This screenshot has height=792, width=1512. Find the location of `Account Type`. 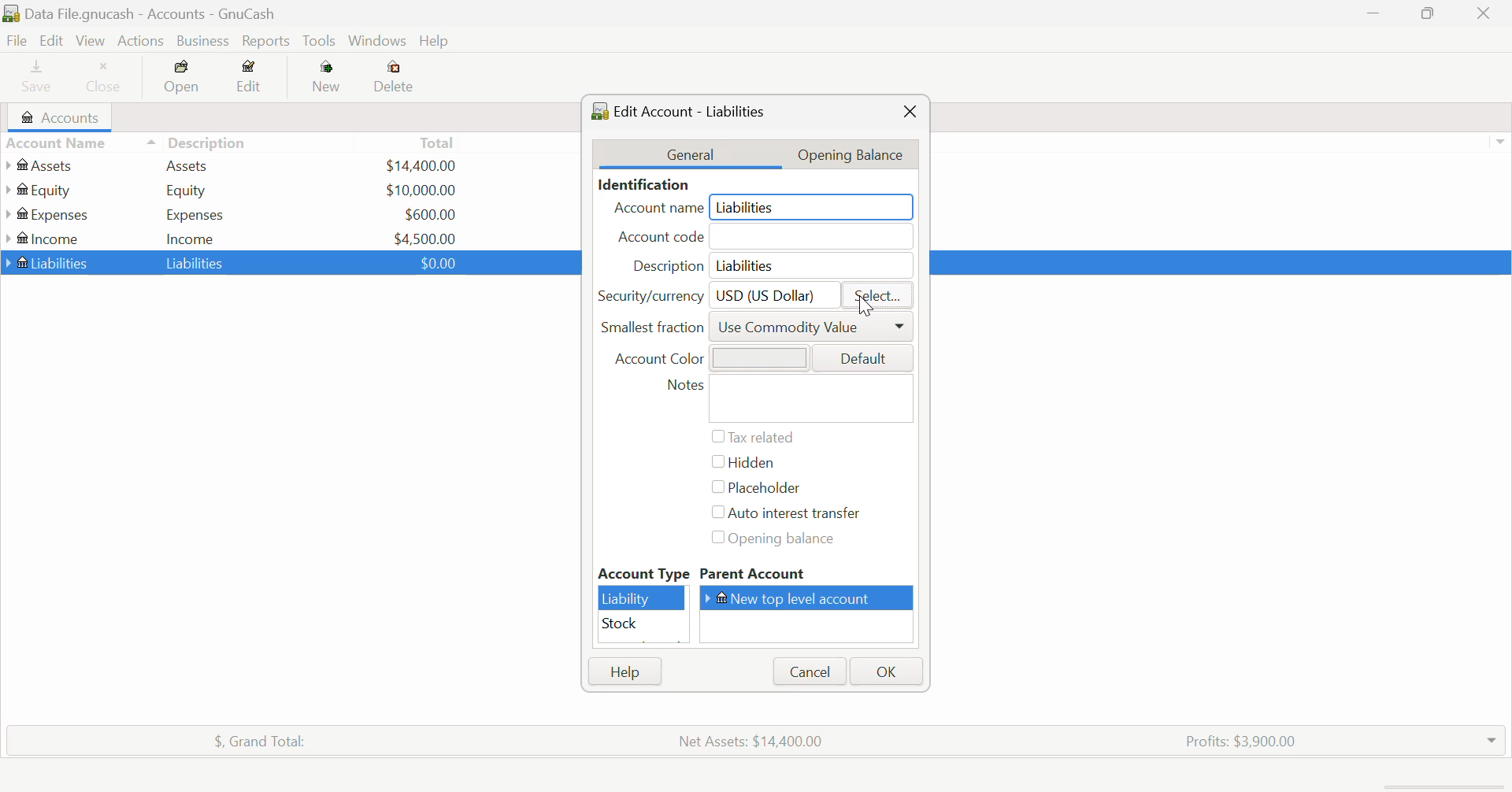

Account Type is located at coordinates (642, 574).